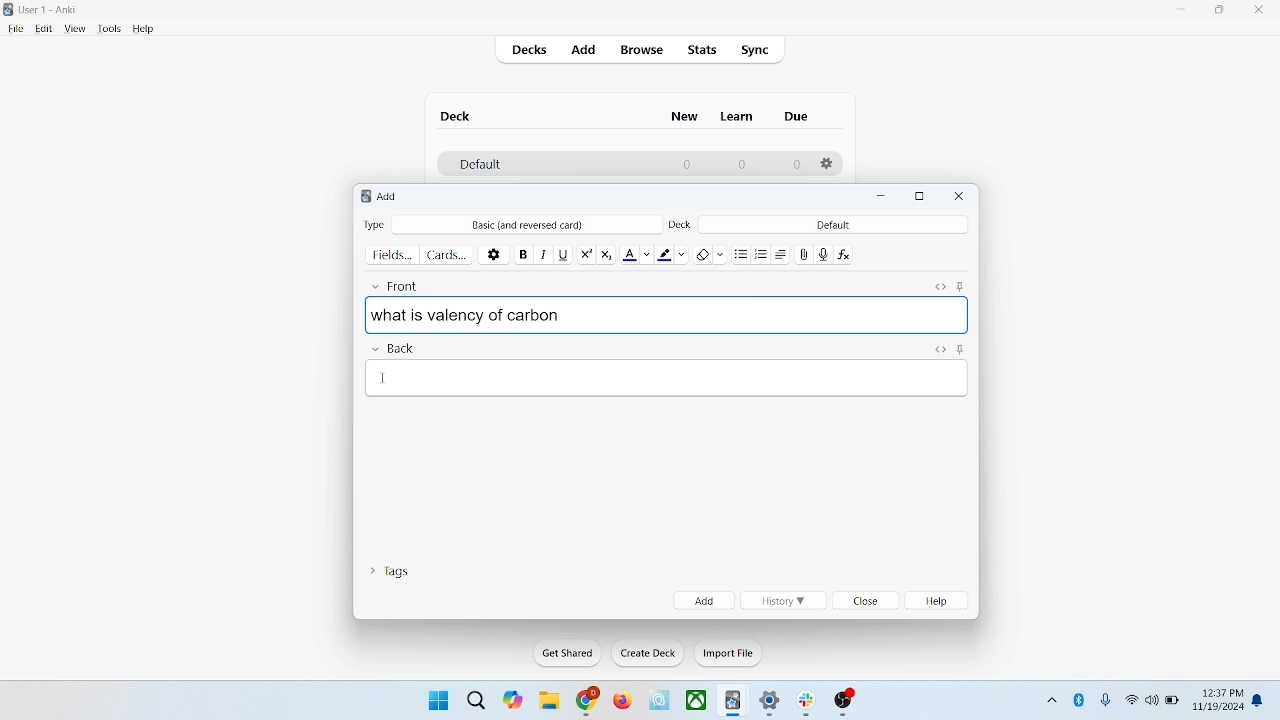 Image resolution: width=1280 pixels, height=720 pixels. Describe the element at coordinates (76, 29) in the screenshot. I see `view` at that location.